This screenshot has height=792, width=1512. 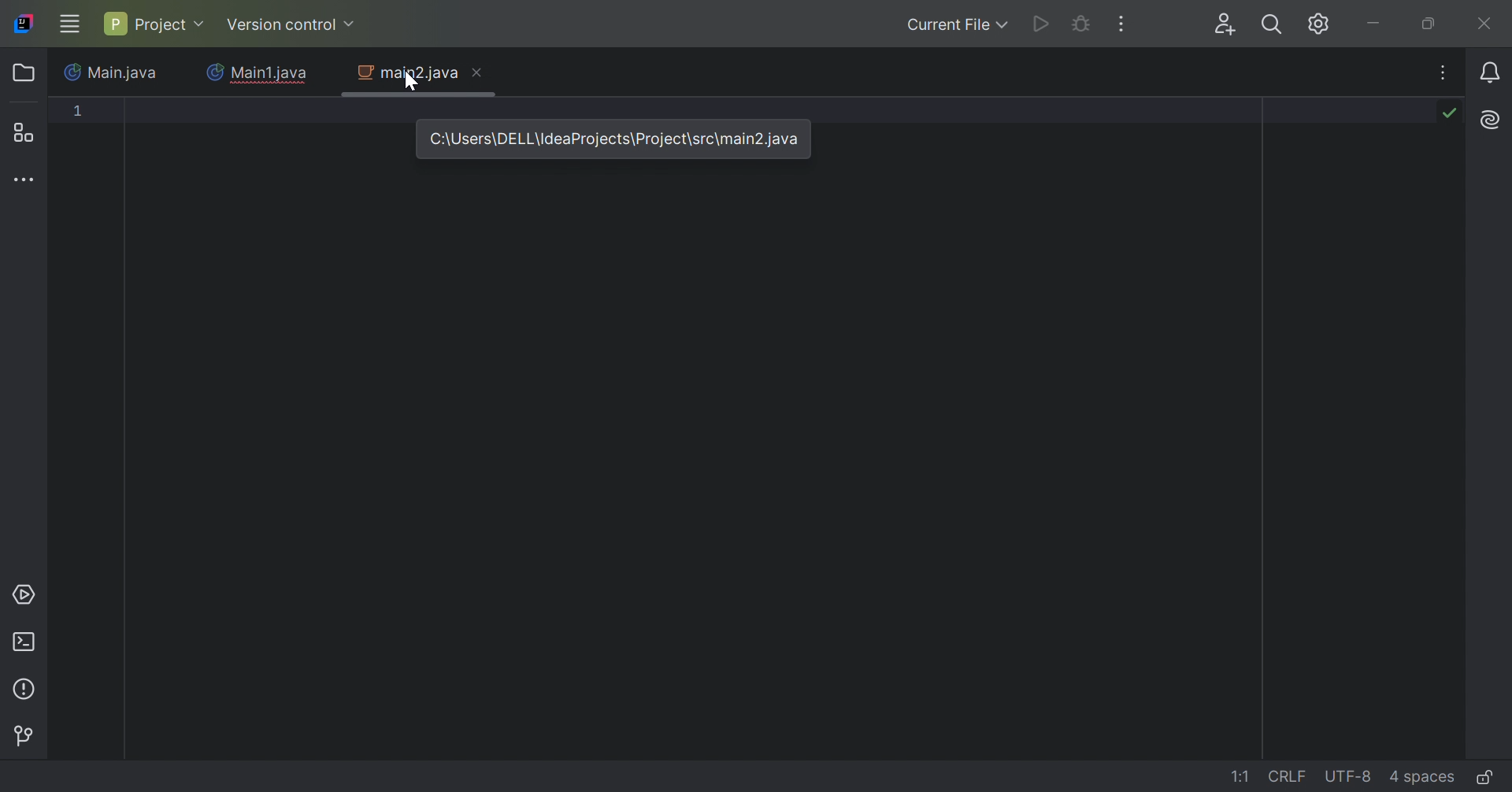 I want to click on Updates available. IDE and Project settings., so click(x=1318, y=24).